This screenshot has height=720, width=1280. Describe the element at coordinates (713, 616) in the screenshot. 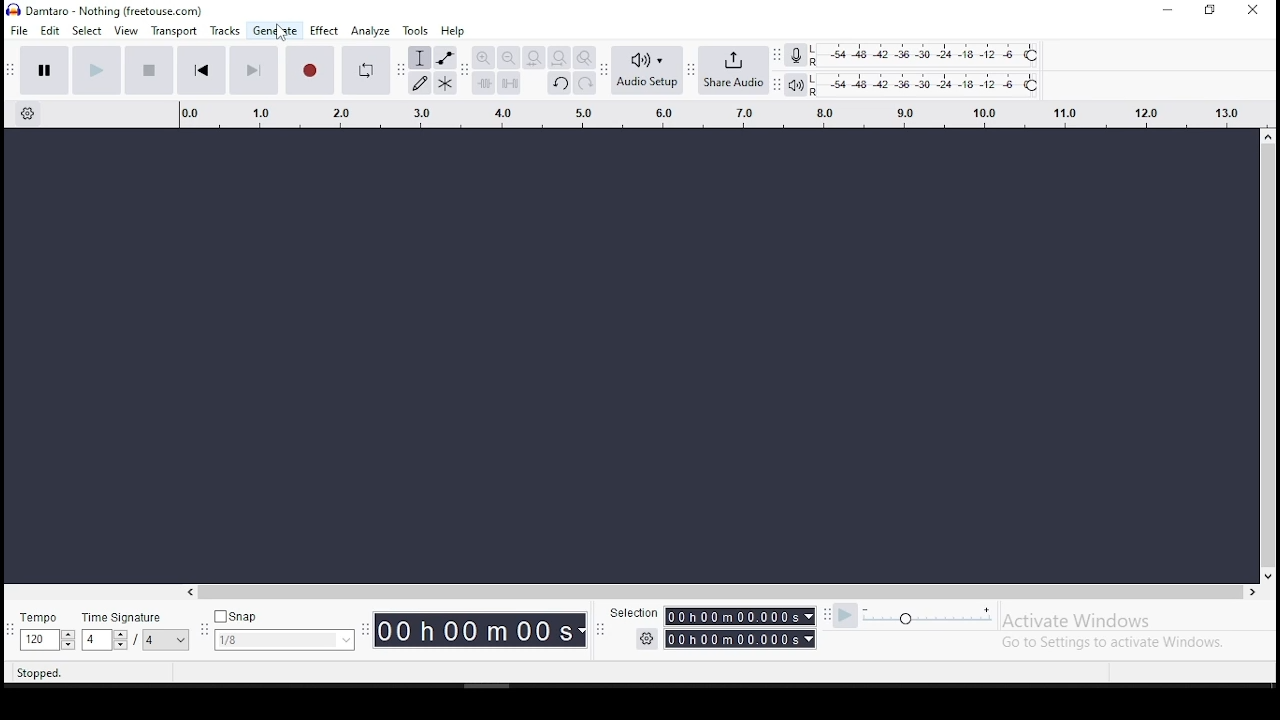

I see `Selection timer` at that location.